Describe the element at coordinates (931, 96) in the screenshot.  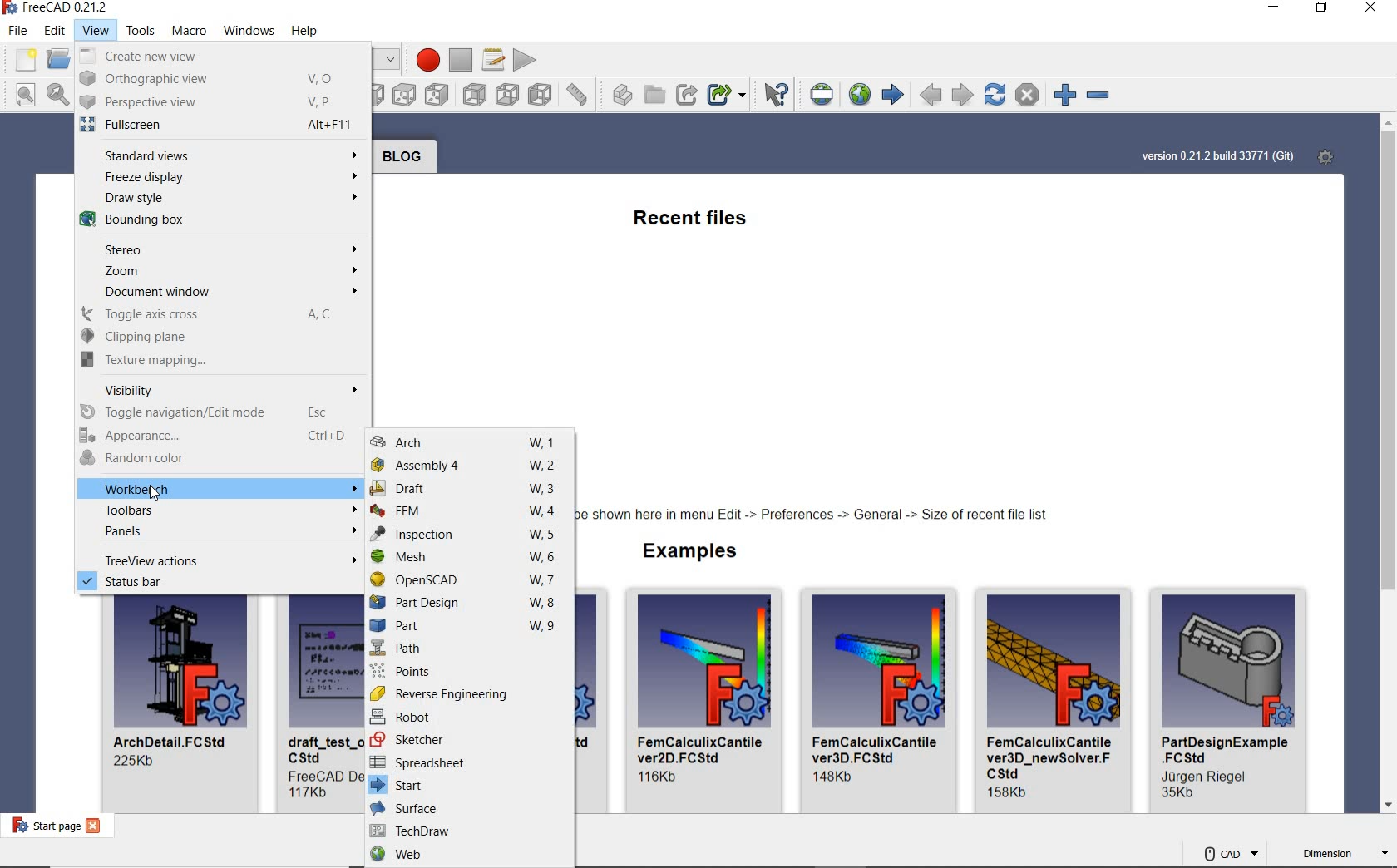
I see `previous page` at that location.